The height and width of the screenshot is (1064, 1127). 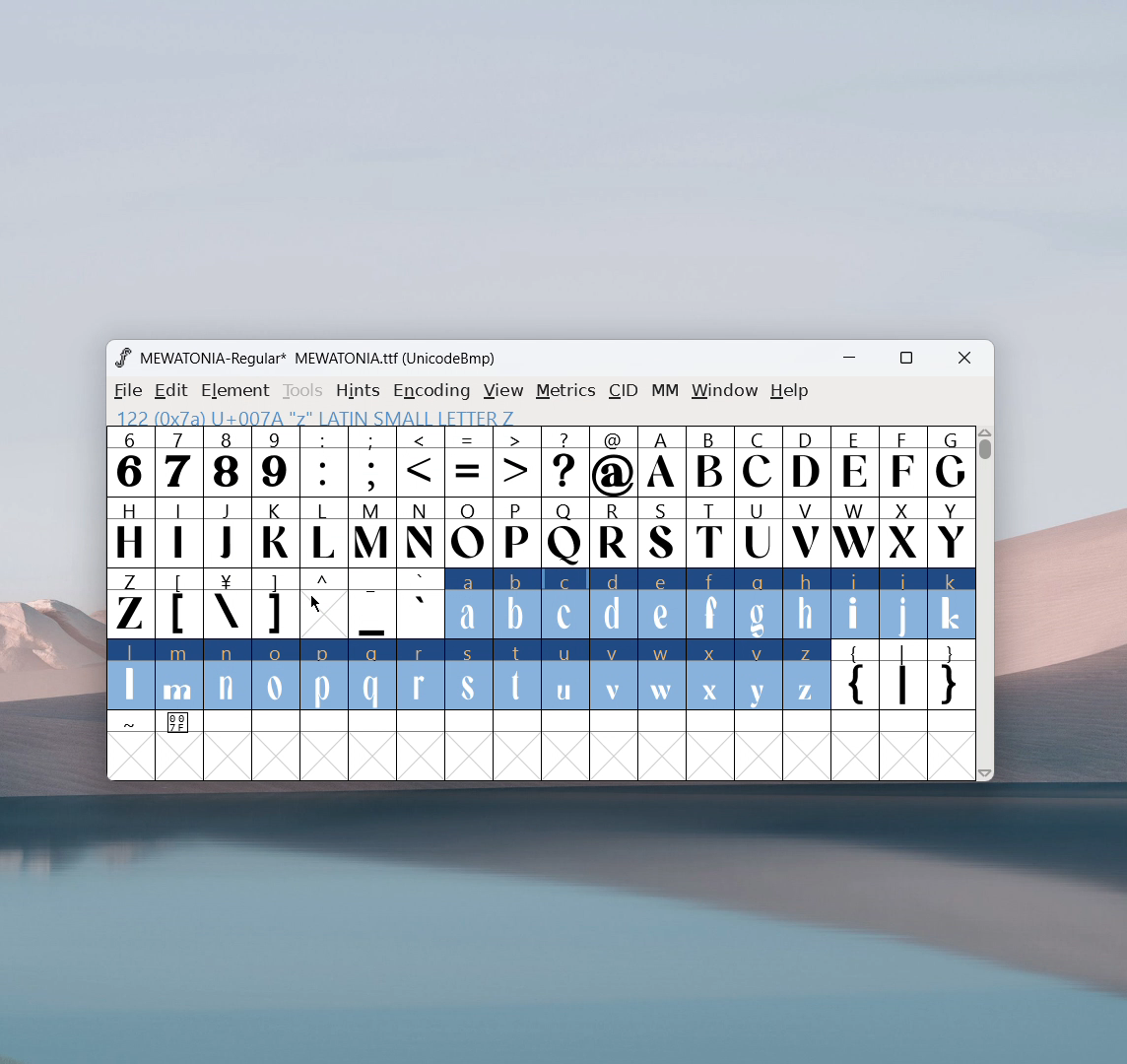 What do you see at coordinates (125, 391) in the screenshot?
I see `file` at bounding box center [125, 391].